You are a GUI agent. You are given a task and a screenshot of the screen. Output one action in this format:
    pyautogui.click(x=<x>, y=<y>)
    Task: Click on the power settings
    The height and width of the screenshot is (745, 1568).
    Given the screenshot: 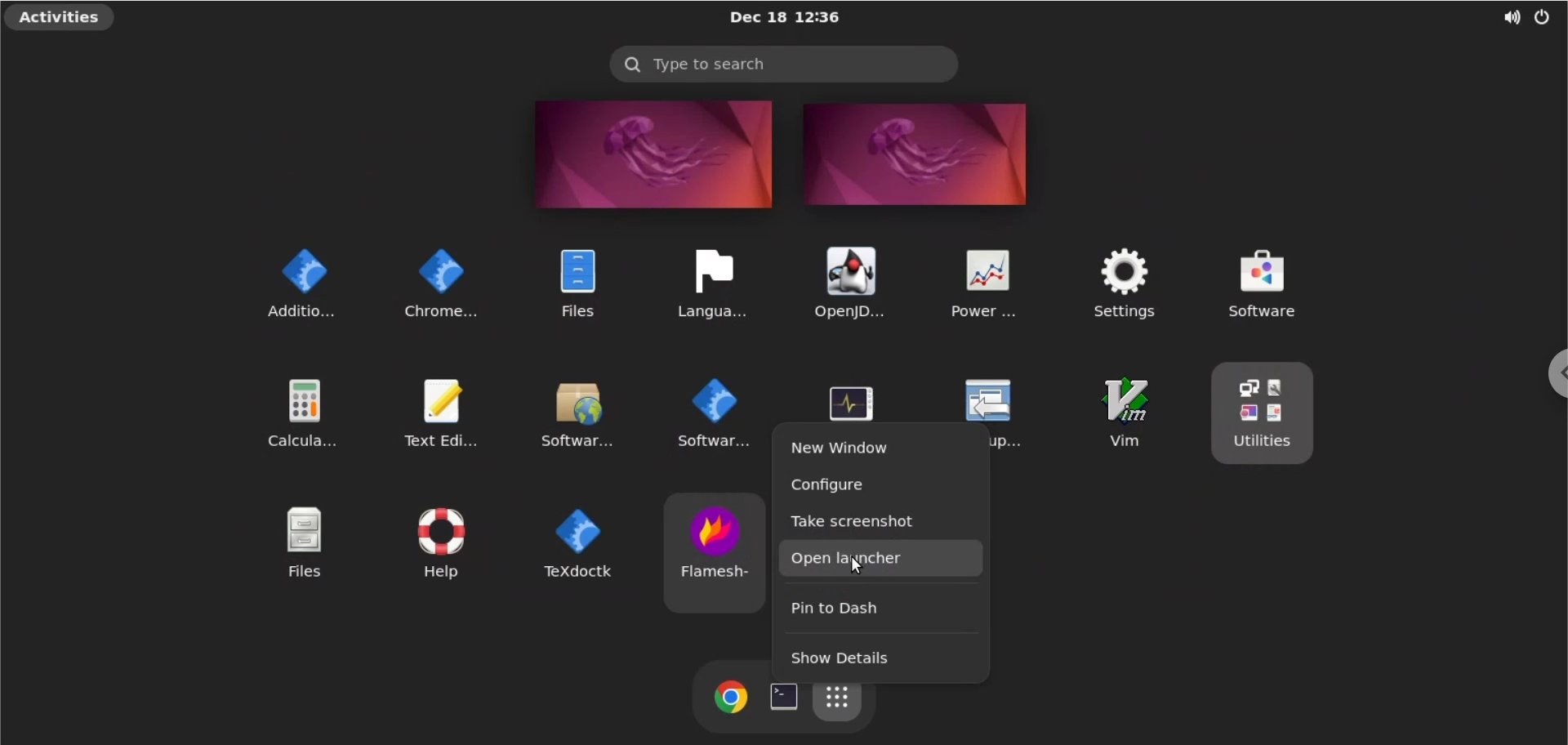 What is the action you would take?
    pyautogui.click(x=982, y=281)
    